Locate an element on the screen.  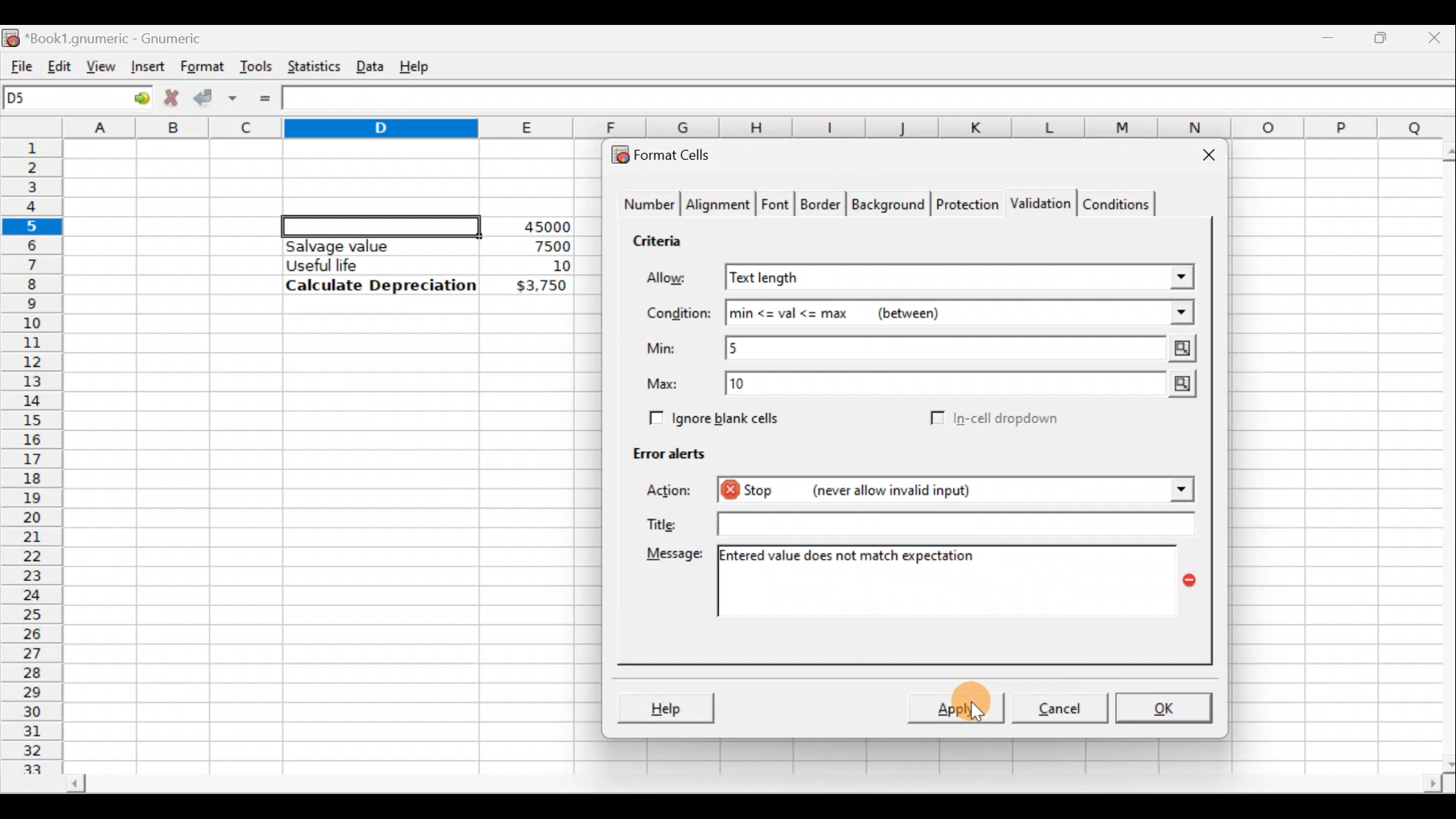
Min value = 5 is located at coordinates (963, 348).